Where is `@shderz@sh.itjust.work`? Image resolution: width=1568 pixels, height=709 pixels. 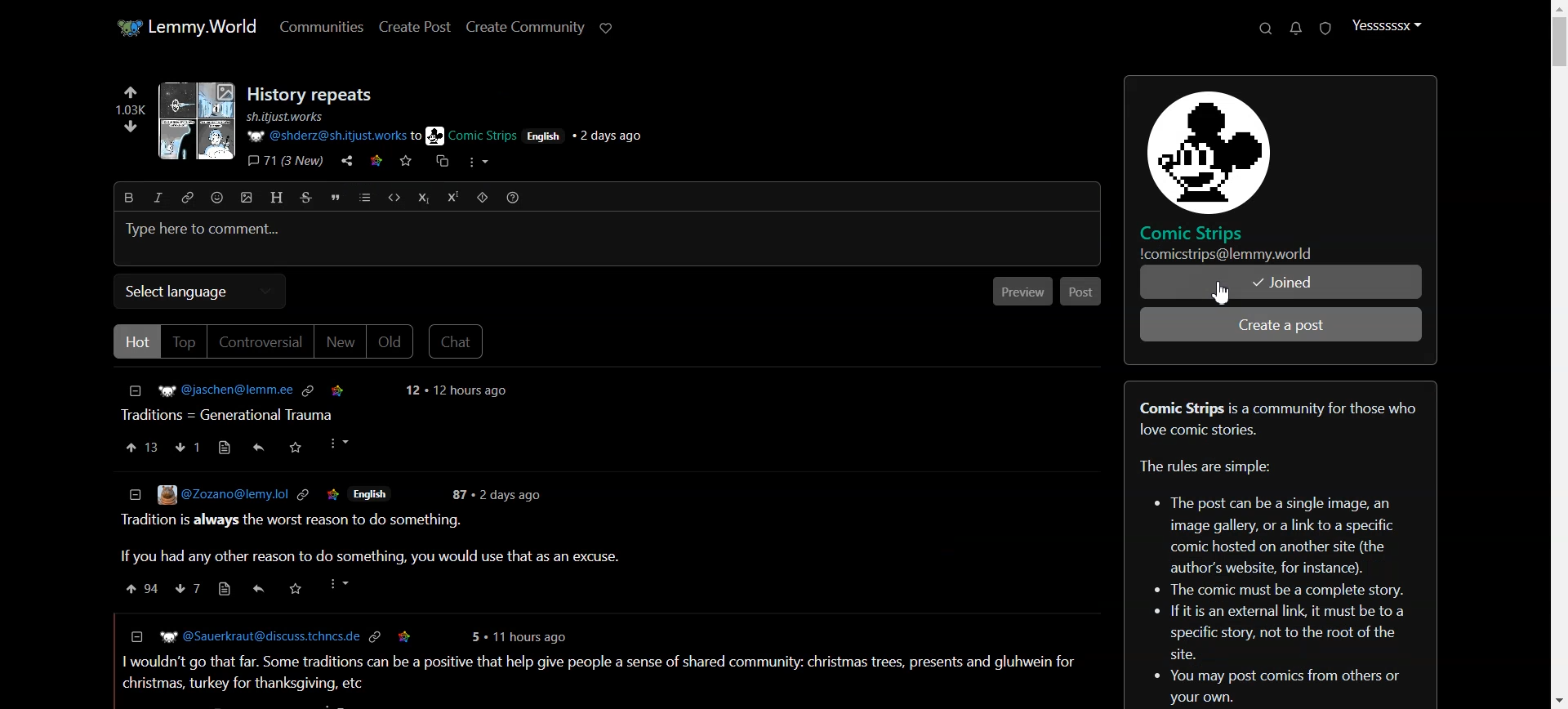
@shderz@sh.itjust.work is located at coordinates (324, 136).